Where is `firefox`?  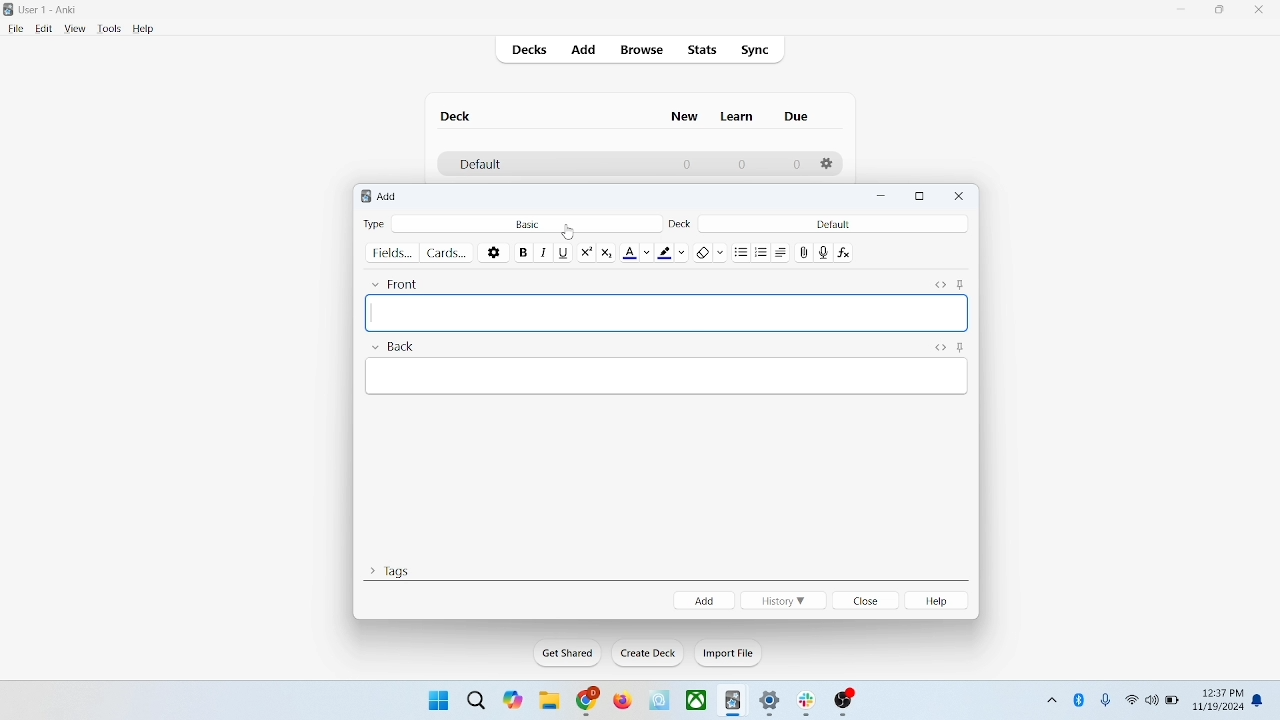
firefox is located at coordinates (622, 701).